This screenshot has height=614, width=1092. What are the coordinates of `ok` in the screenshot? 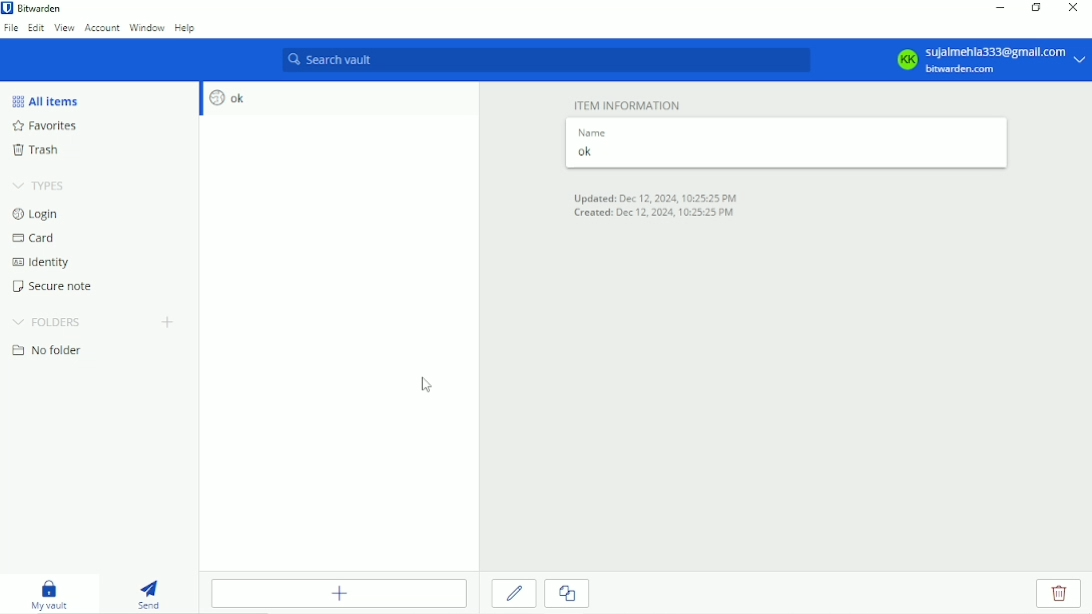 It's located at (224, 98).